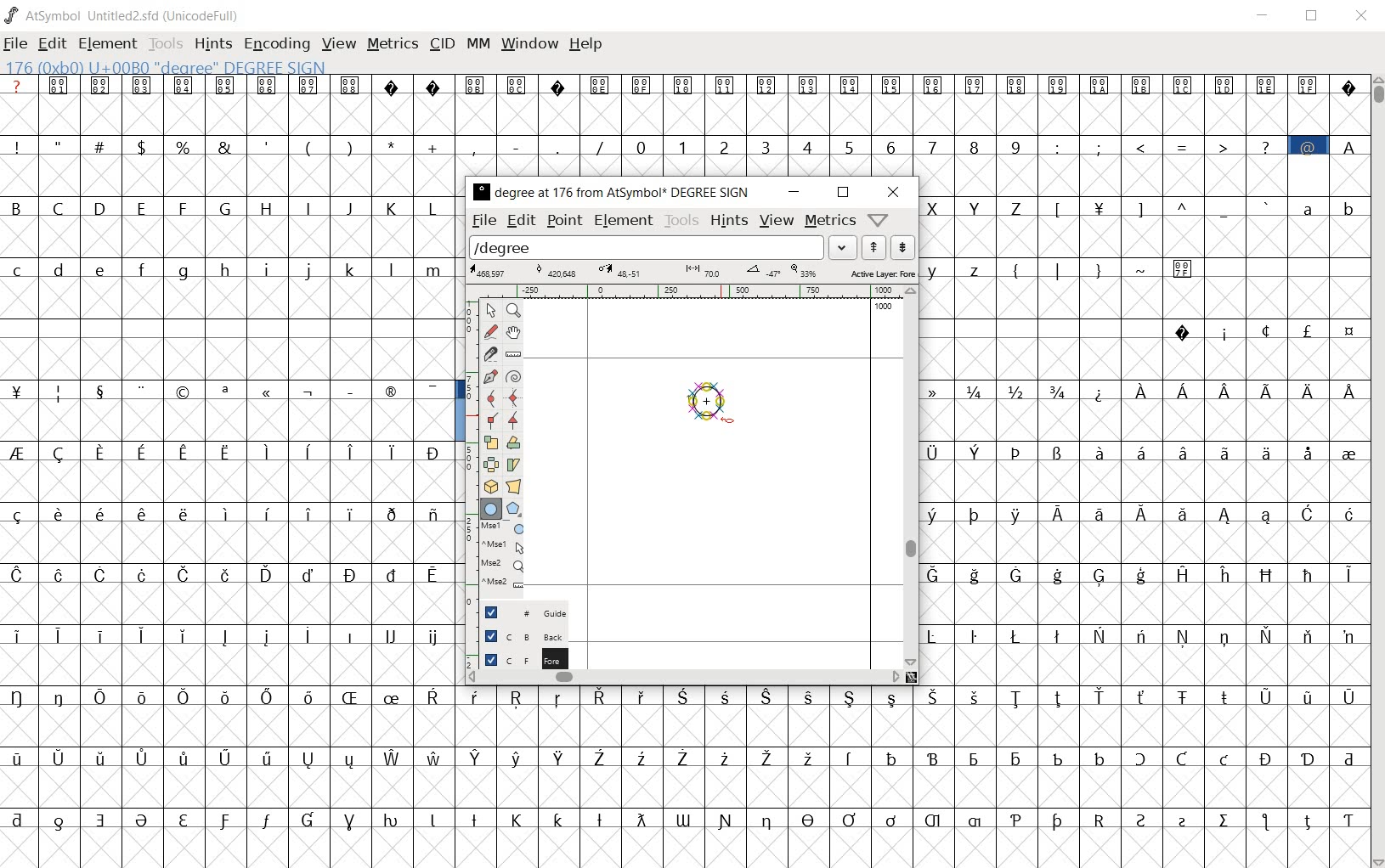 This screenshot has height=868, width=1385. Describe the element at coordinates (873, 247) in the screenshot. I see `show the next word on the list` at that location.